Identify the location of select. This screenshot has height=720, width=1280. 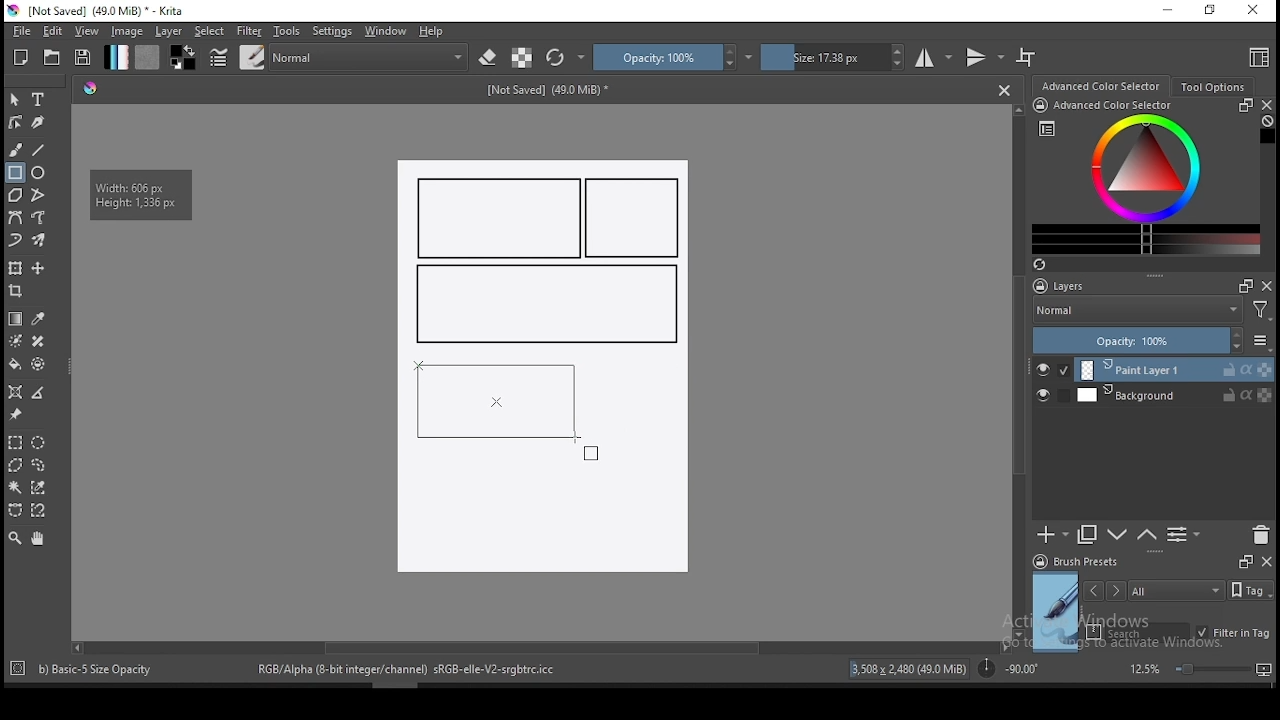
(210, 31).